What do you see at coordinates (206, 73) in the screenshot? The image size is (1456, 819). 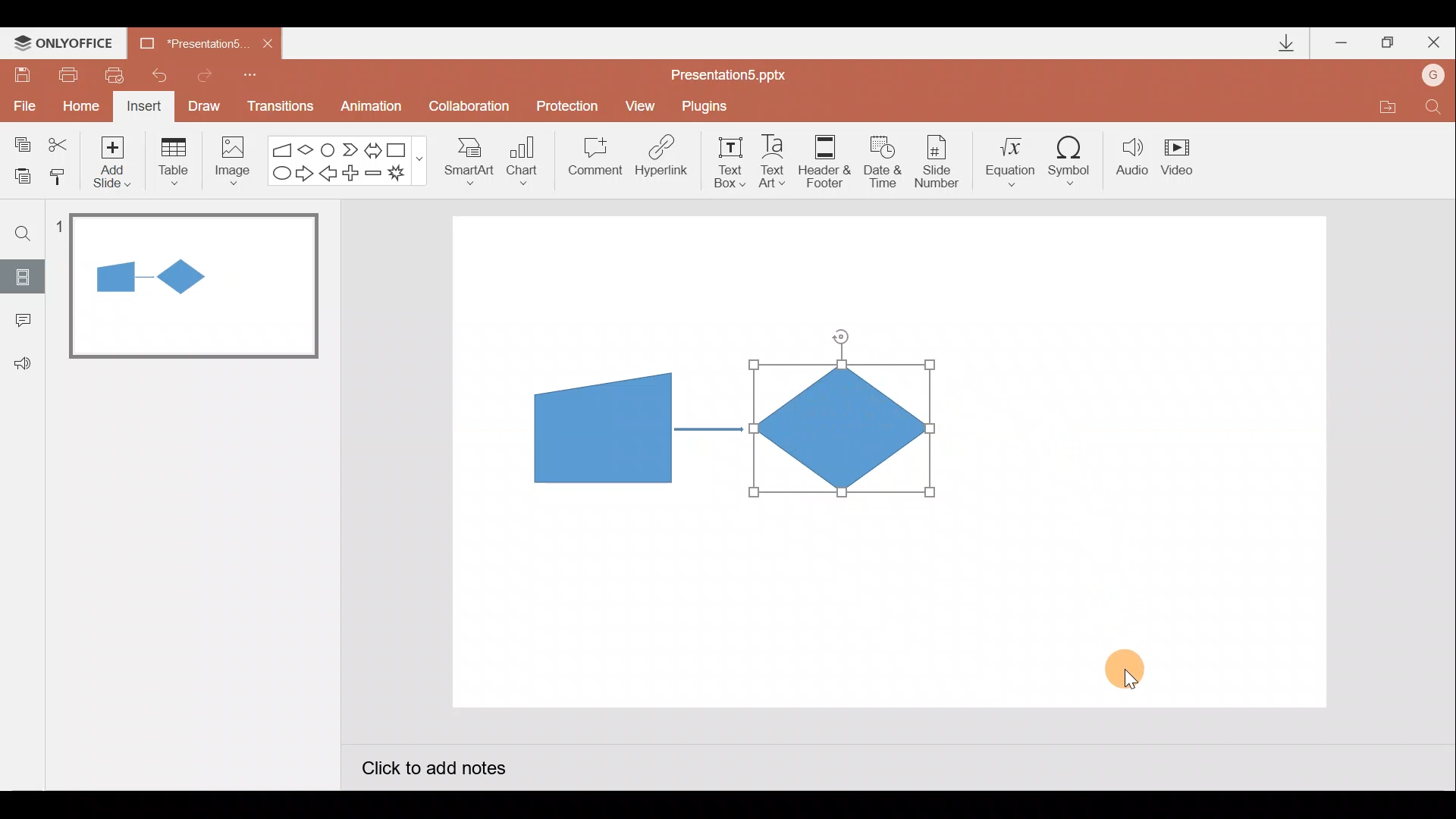 I see `Redo` at bounding box center [206, 73].